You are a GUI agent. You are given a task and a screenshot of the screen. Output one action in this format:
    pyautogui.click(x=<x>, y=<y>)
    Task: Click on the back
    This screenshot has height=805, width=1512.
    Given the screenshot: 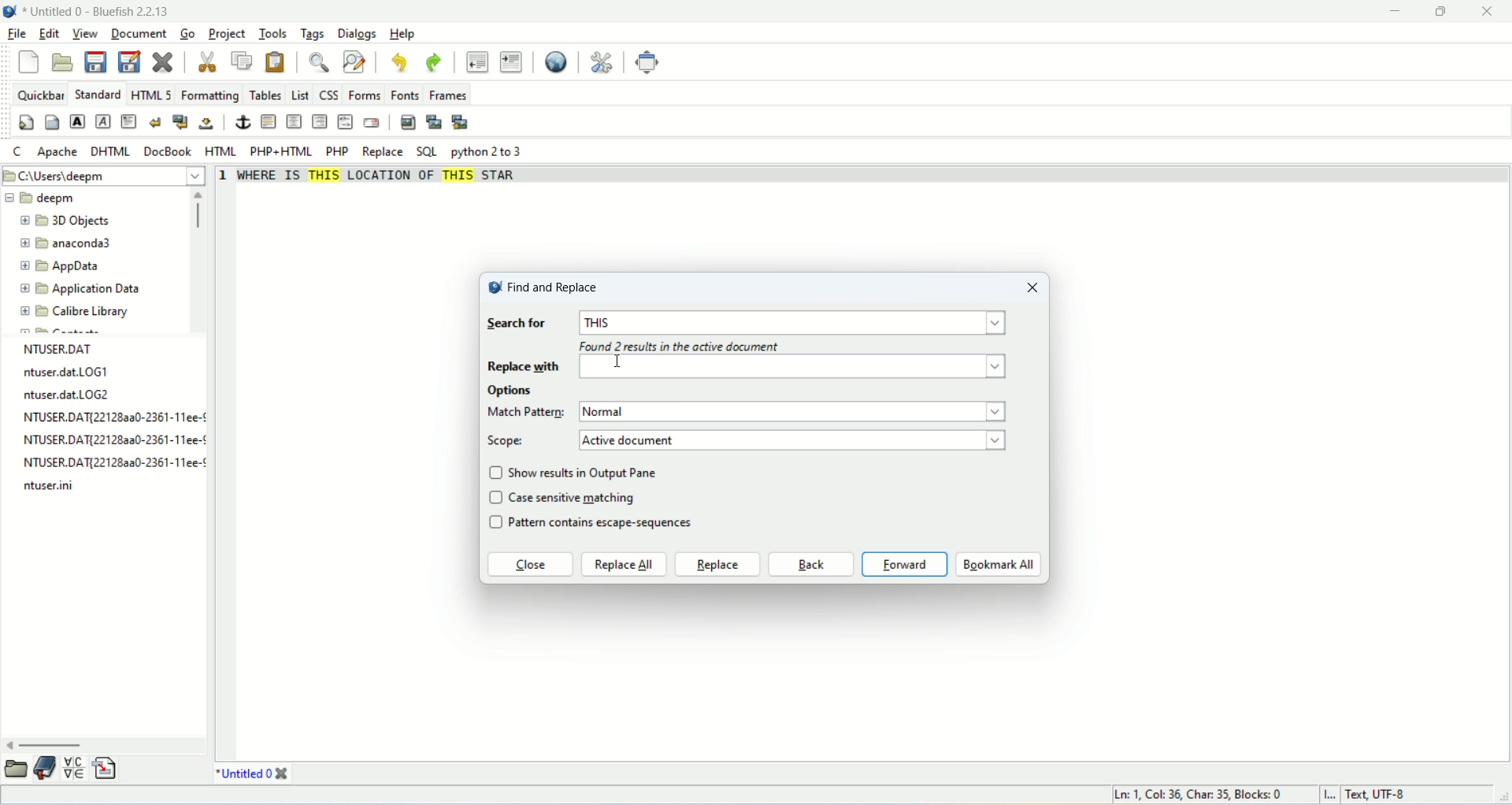 What is the action you would take?
    pyautogui.click(x=810, y=565)
    